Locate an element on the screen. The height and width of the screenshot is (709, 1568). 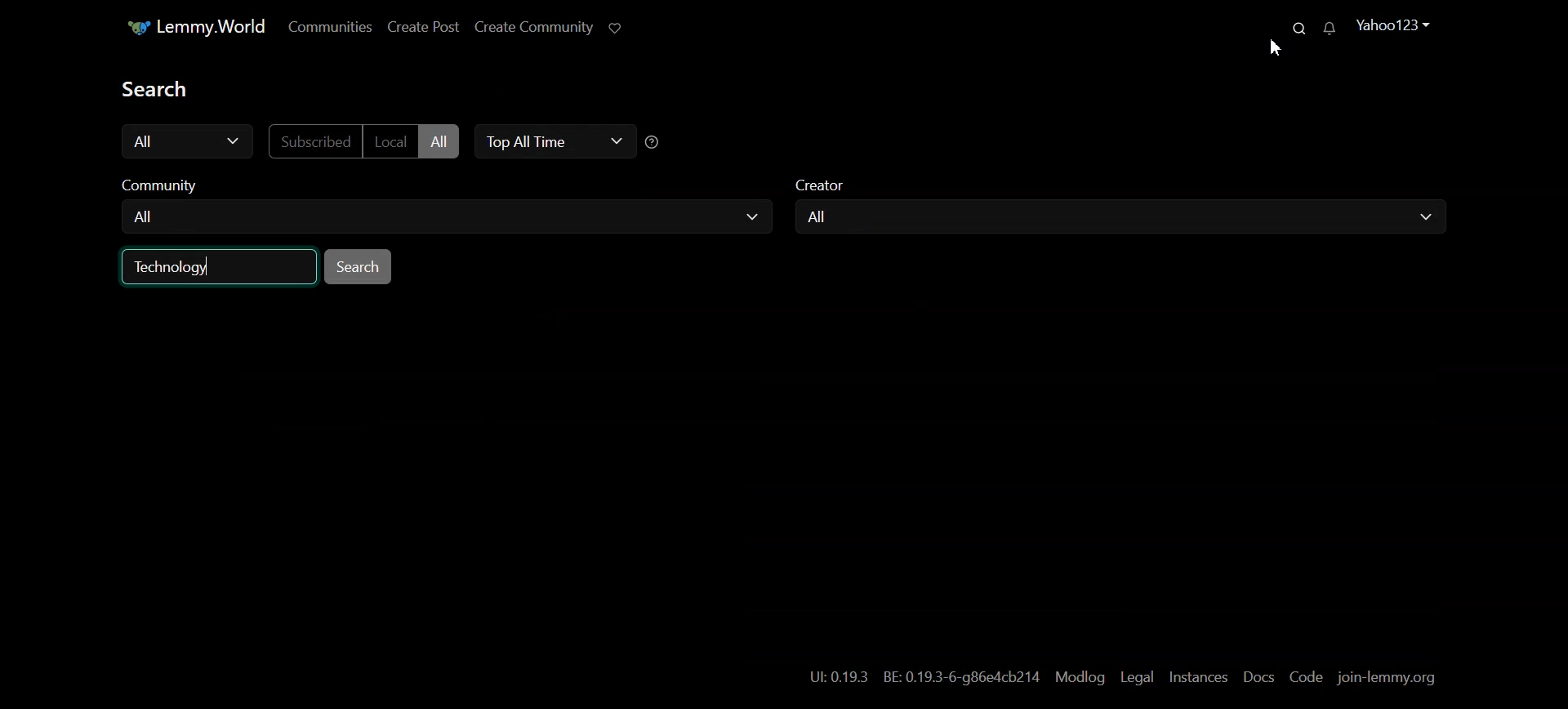
Community is located at coordinates (171, 185).